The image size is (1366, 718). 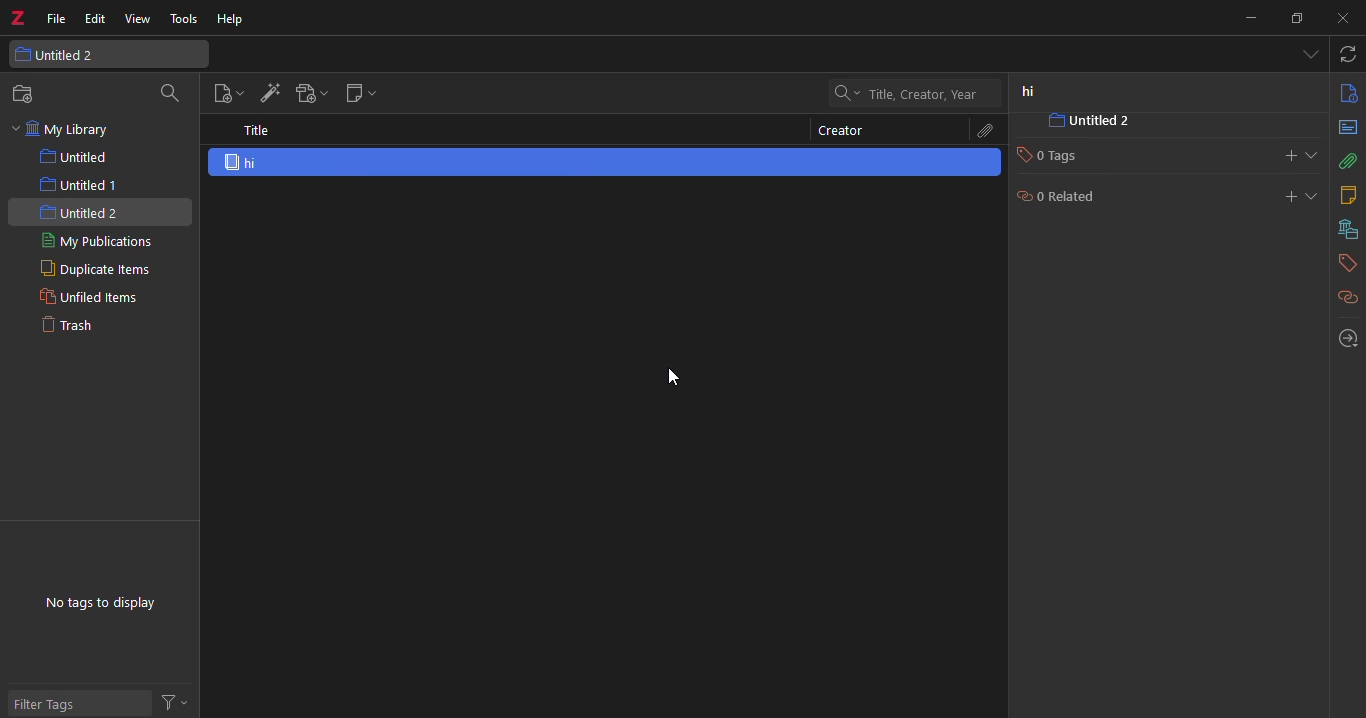 I want to click on untitled, so click(x=81, y=157).